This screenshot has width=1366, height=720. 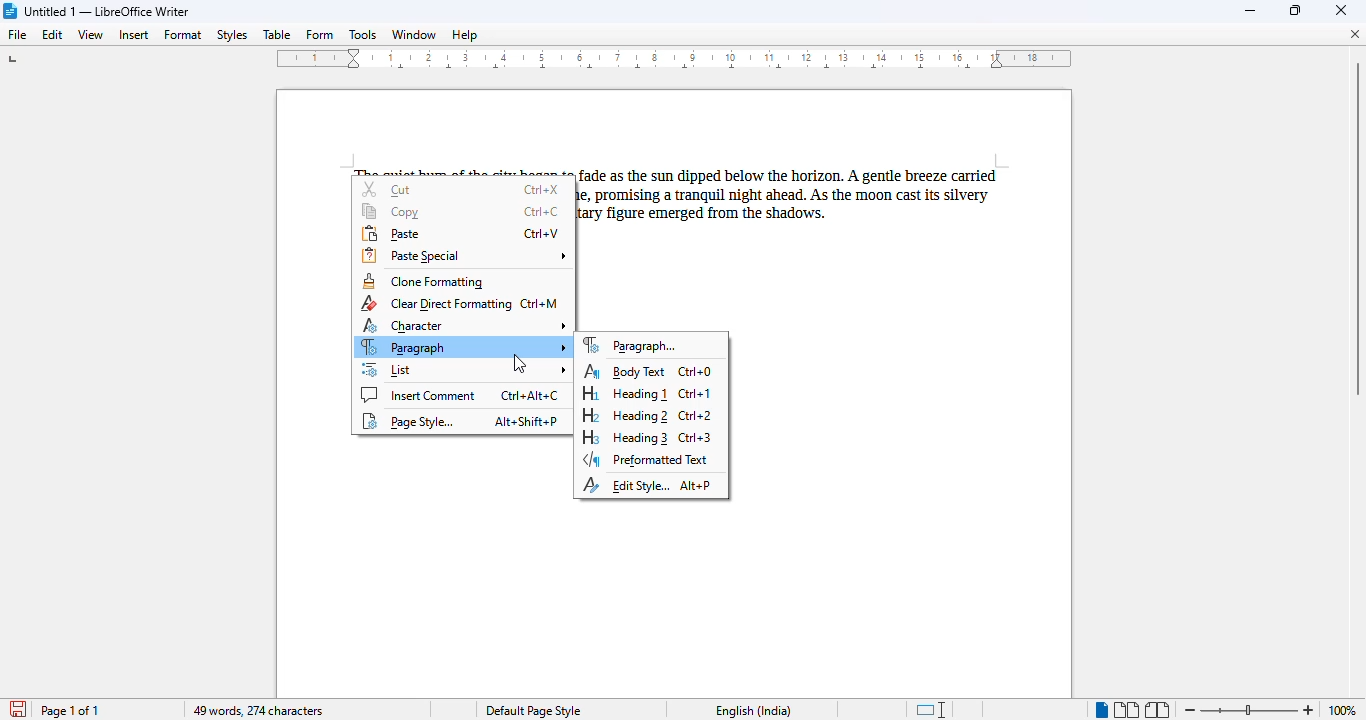 What do you see at coordinates (460, 303) in the screenshot?
I see `clear direct formatting` at bounding box center [460, 303].